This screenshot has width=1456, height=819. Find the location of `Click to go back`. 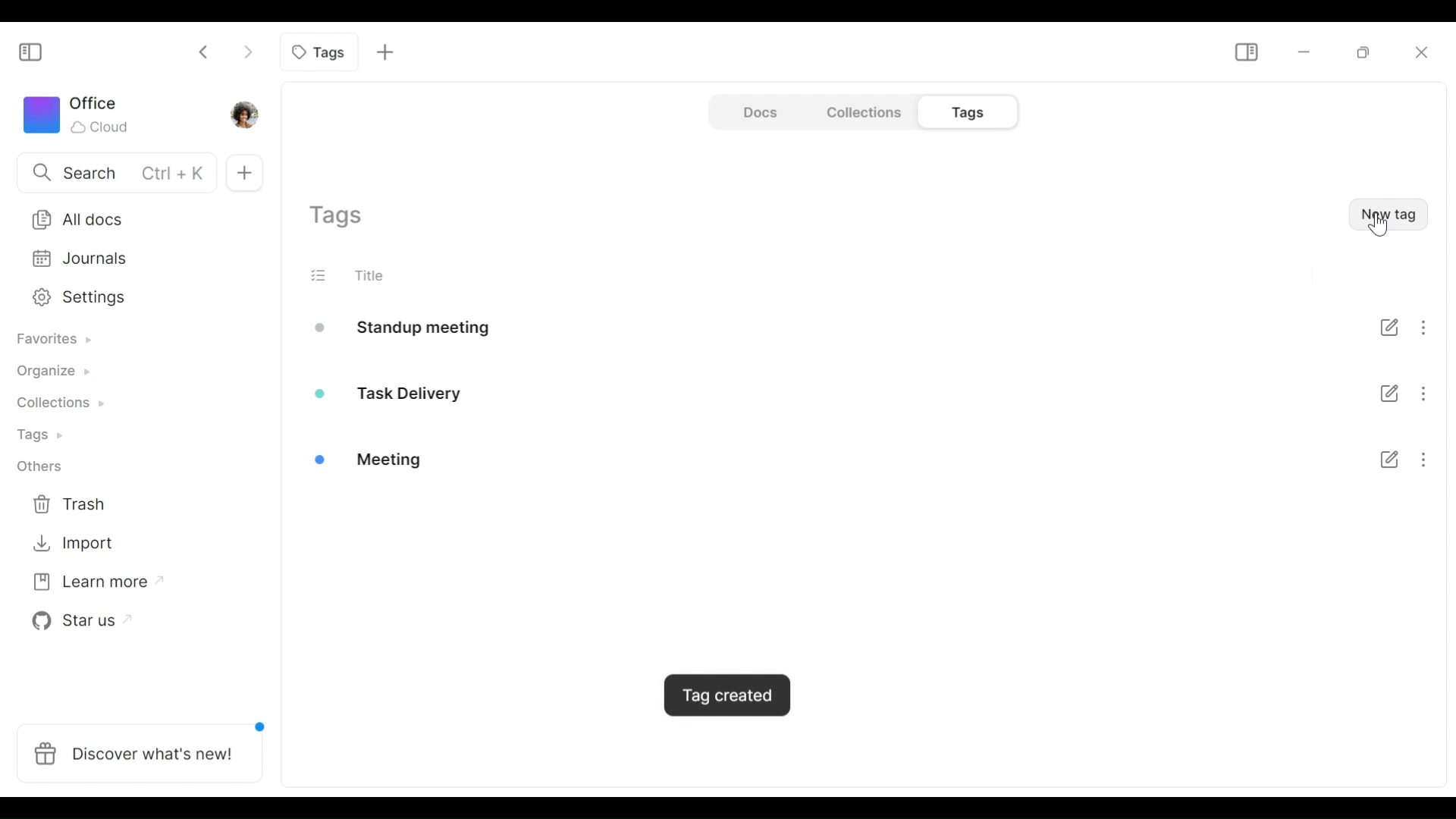

Click to go back is located at coordinates (206, 52).